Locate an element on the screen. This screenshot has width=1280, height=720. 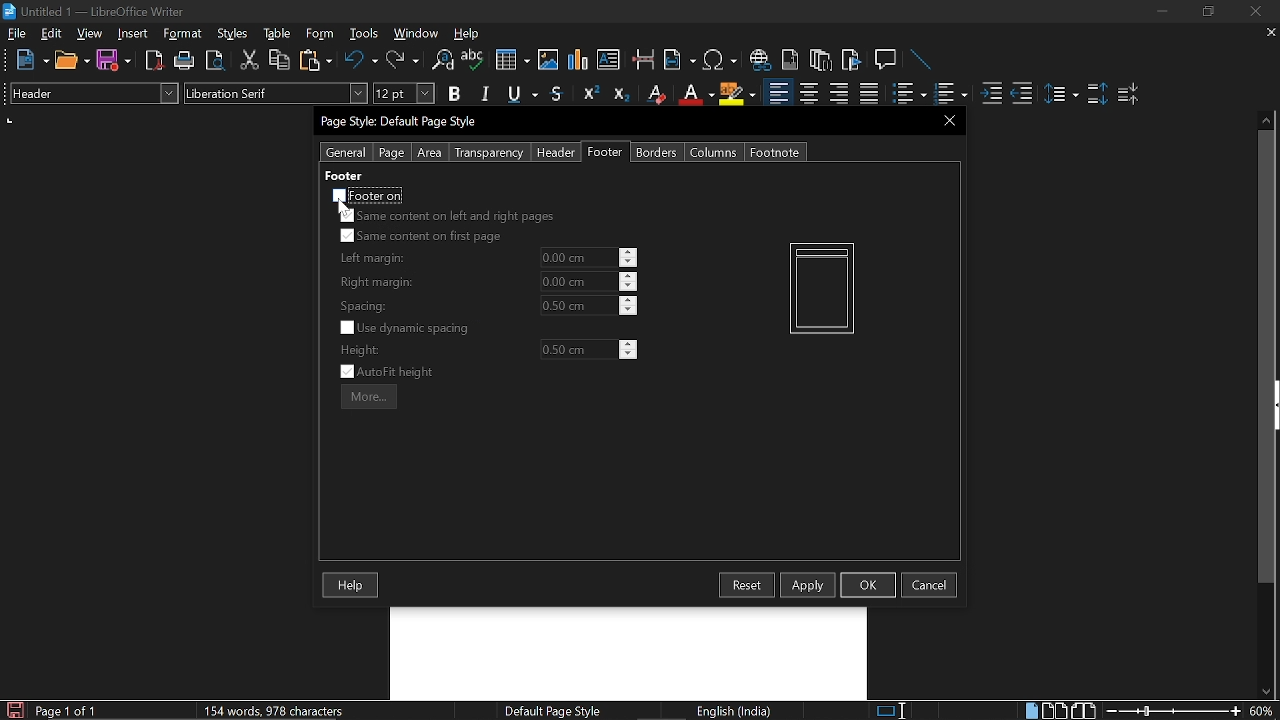
toggle ordered list is located at coordinates (909, 94).